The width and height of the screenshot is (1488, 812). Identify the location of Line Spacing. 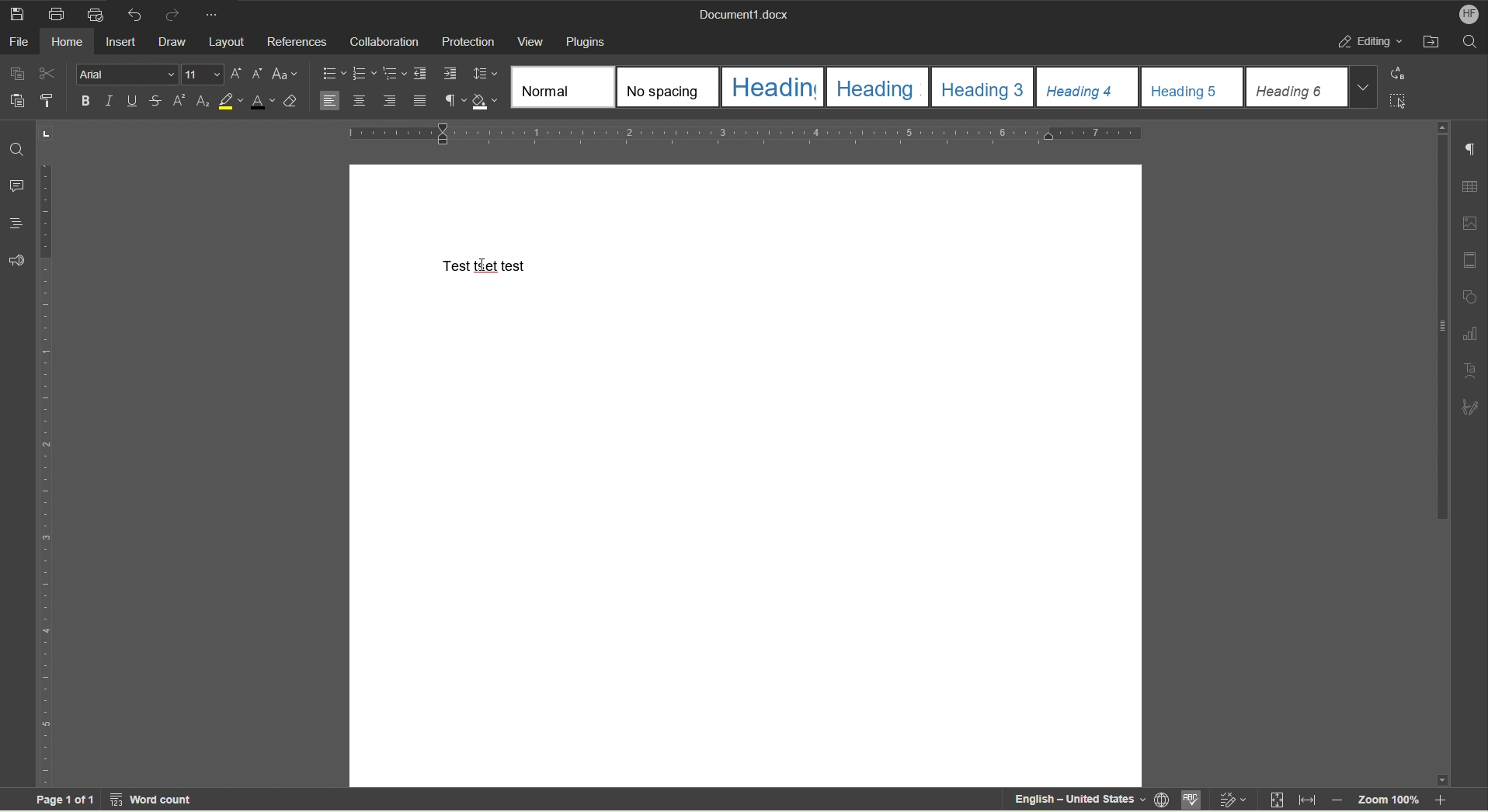
(486, 75).